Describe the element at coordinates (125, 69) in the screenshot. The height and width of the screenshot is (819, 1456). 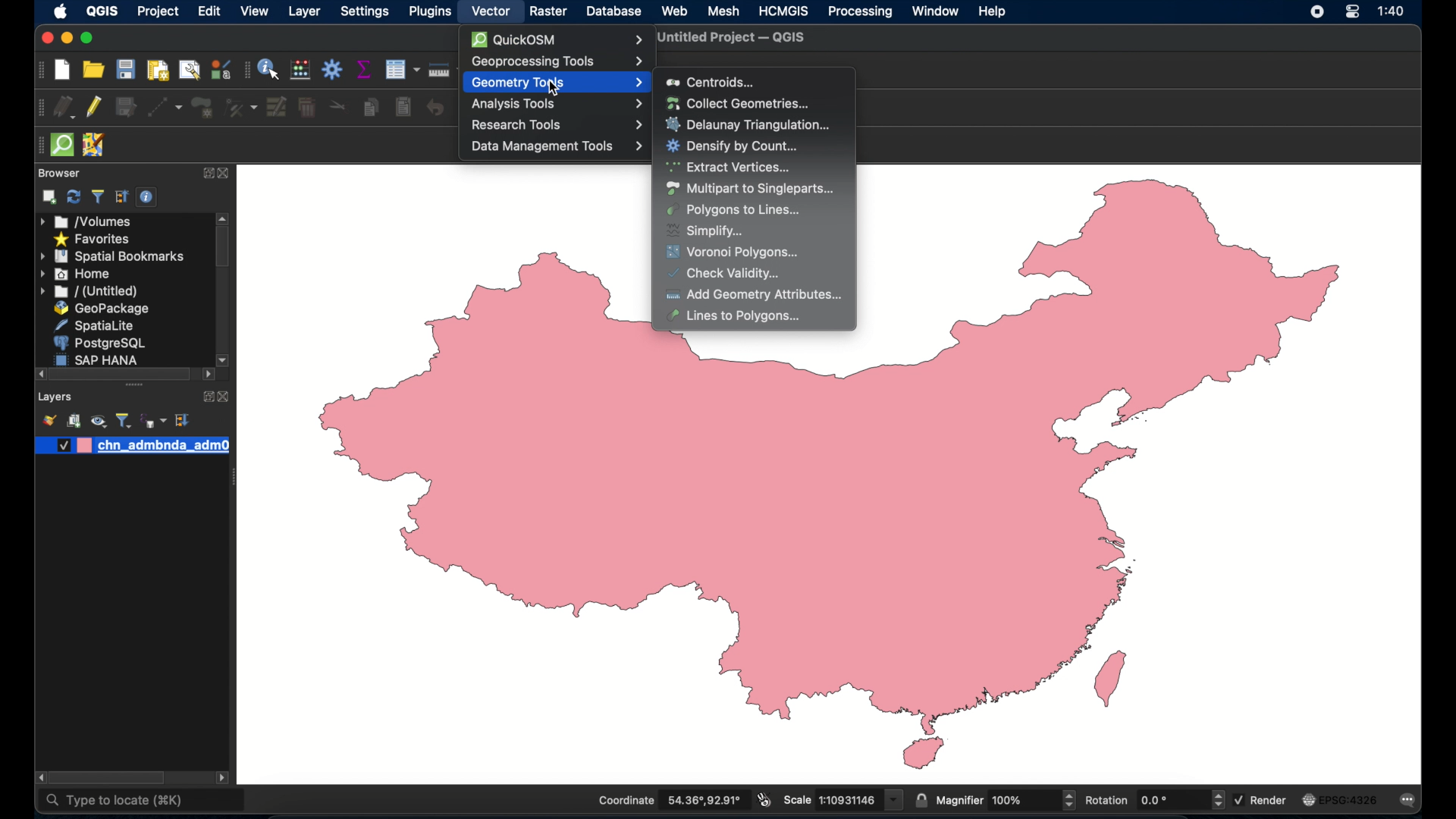
I see `save project` at that location.